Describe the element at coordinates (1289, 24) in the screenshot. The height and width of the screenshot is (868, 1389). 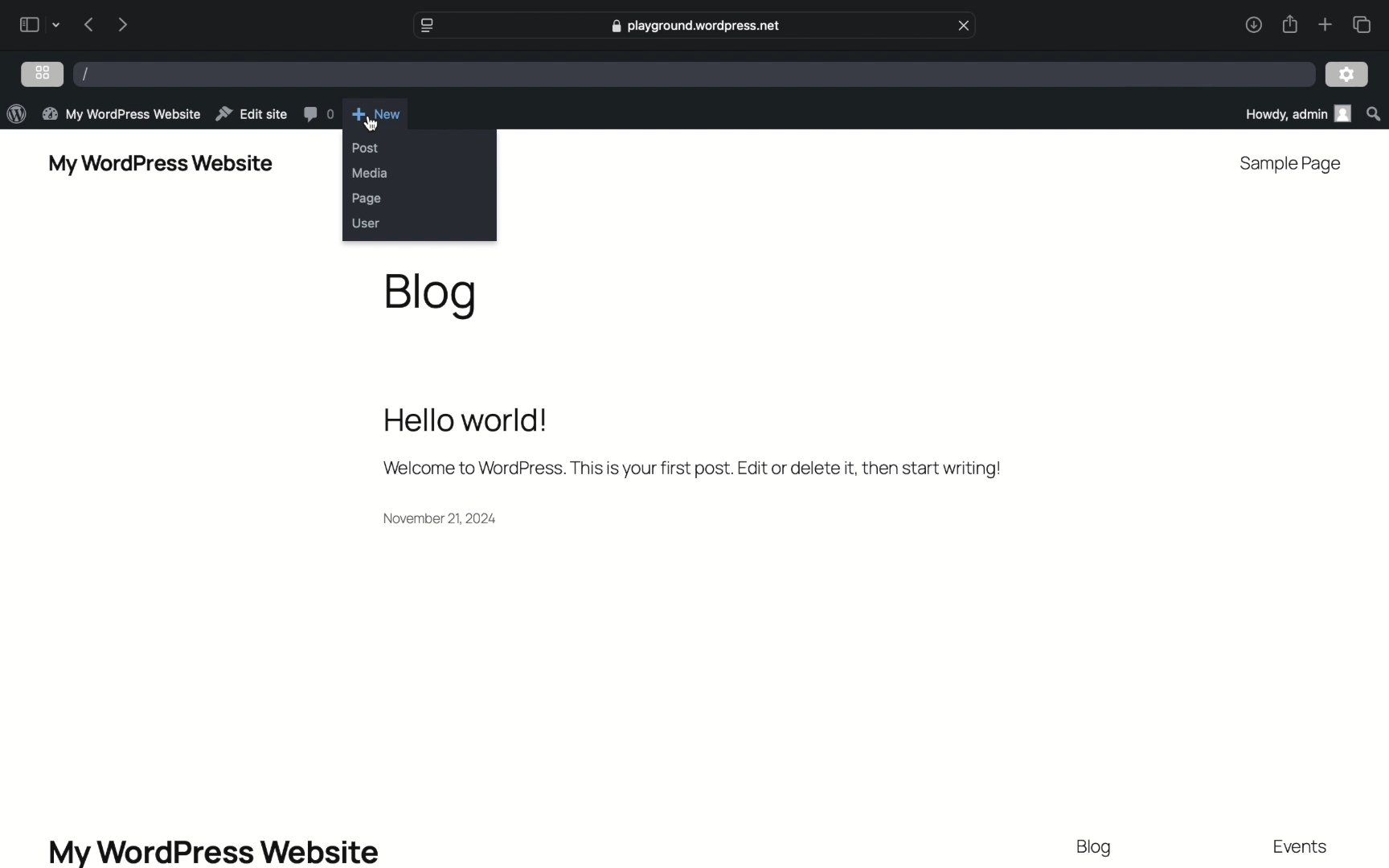
I see `share` at that location.